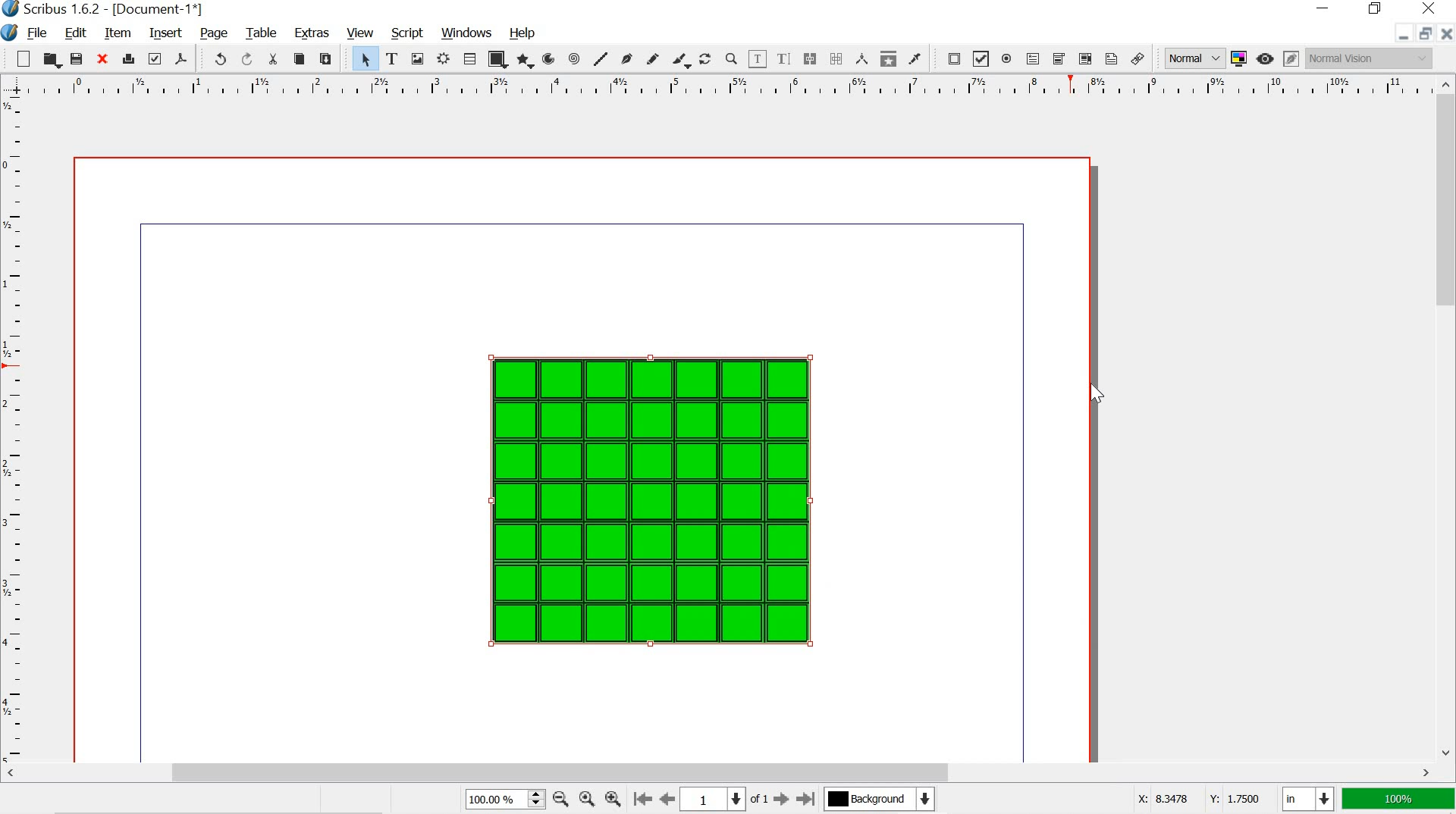 This screenshot has width=1456, height=814. What do you see at coordinates (1432, 9) in the screenshot?
I see `close` at bounding box center [1432, 9].